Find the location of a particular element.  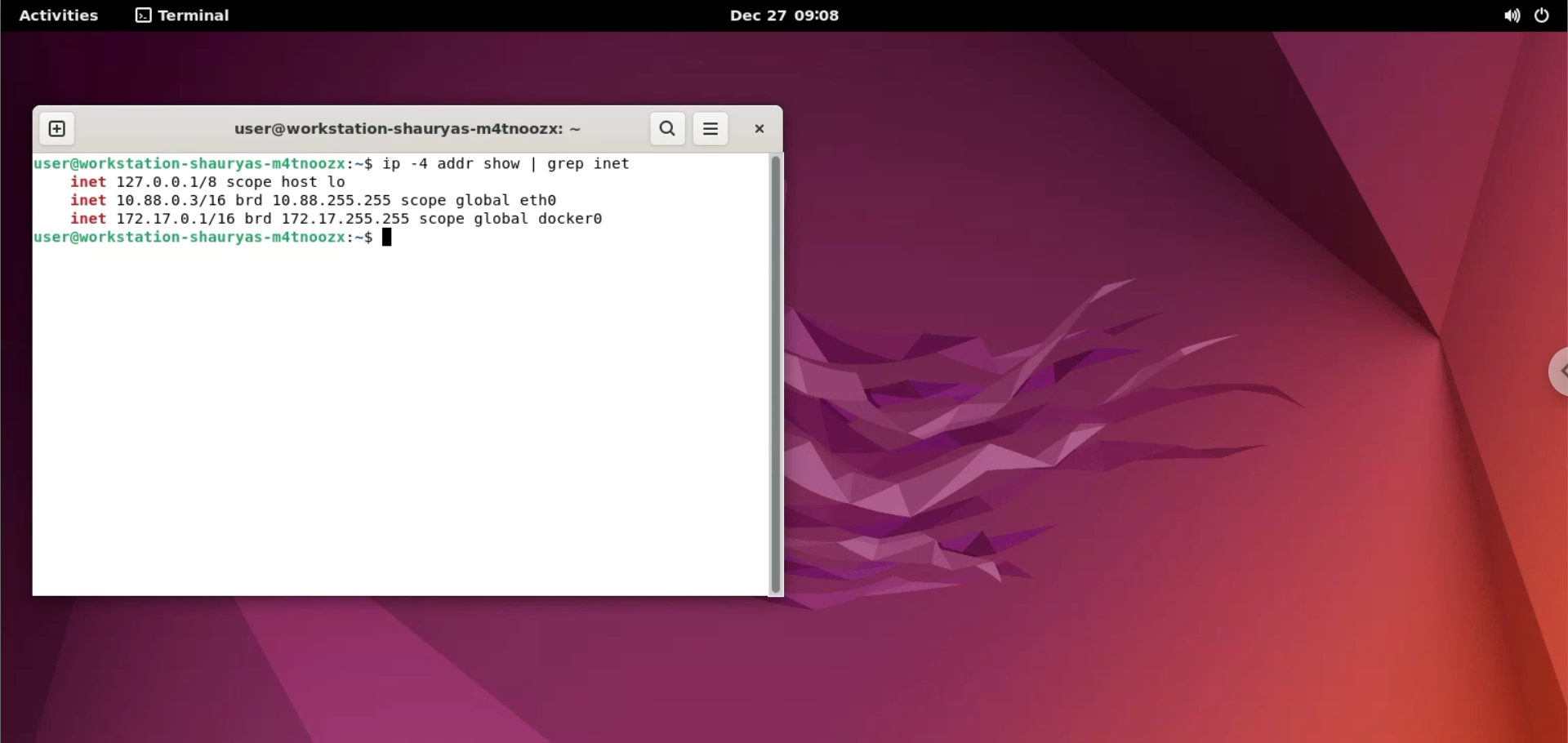

scrollbar is located at coordinates (778, 376).